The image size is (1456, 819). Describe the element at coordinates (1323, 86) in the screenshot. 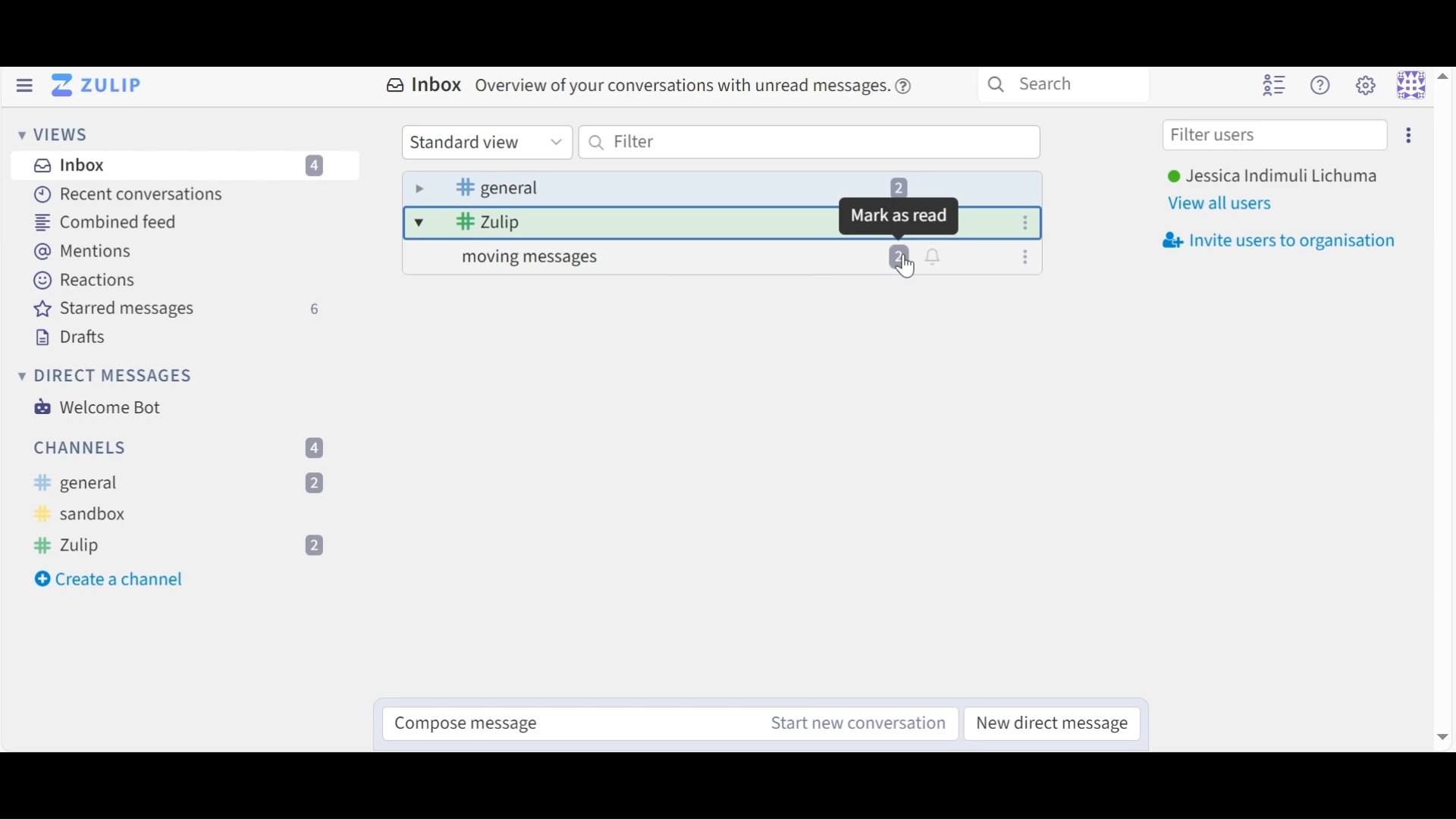

I see `Help menu` at that location.